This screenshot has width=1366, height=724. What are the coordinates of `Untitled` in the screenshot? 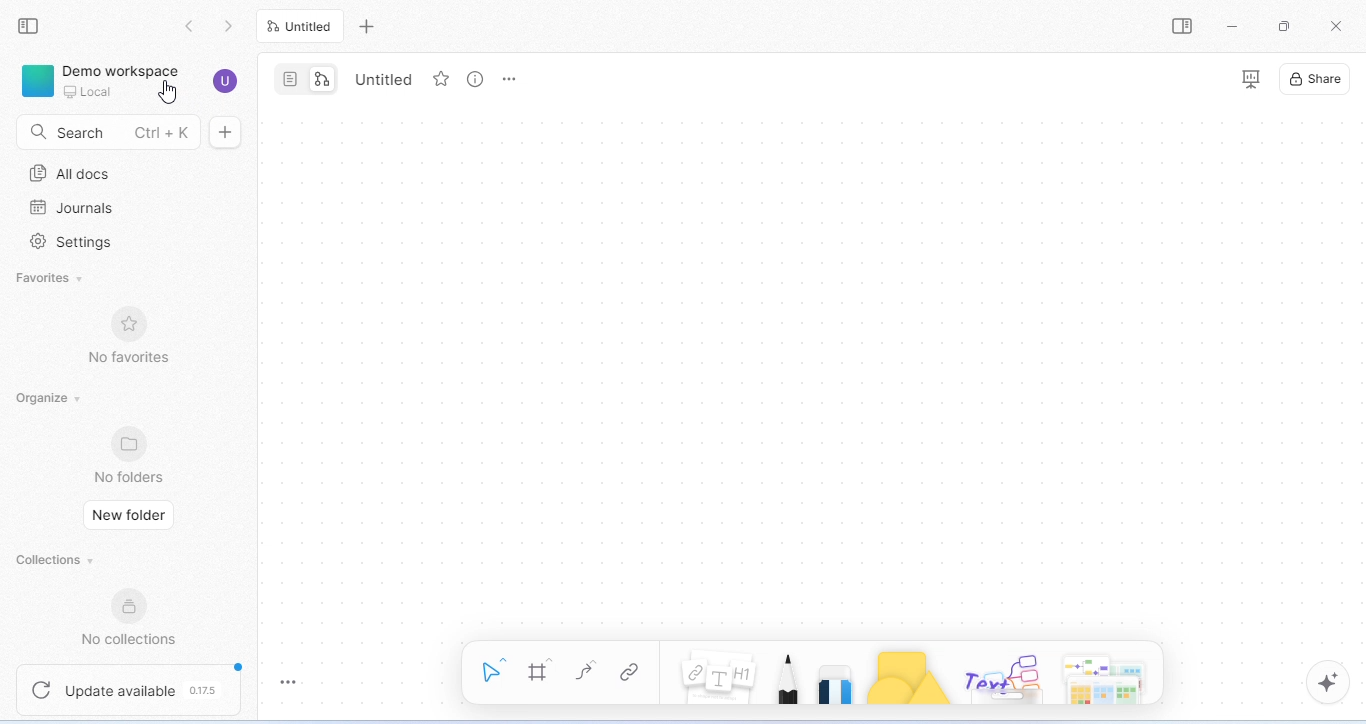 It's located at (384, 80).